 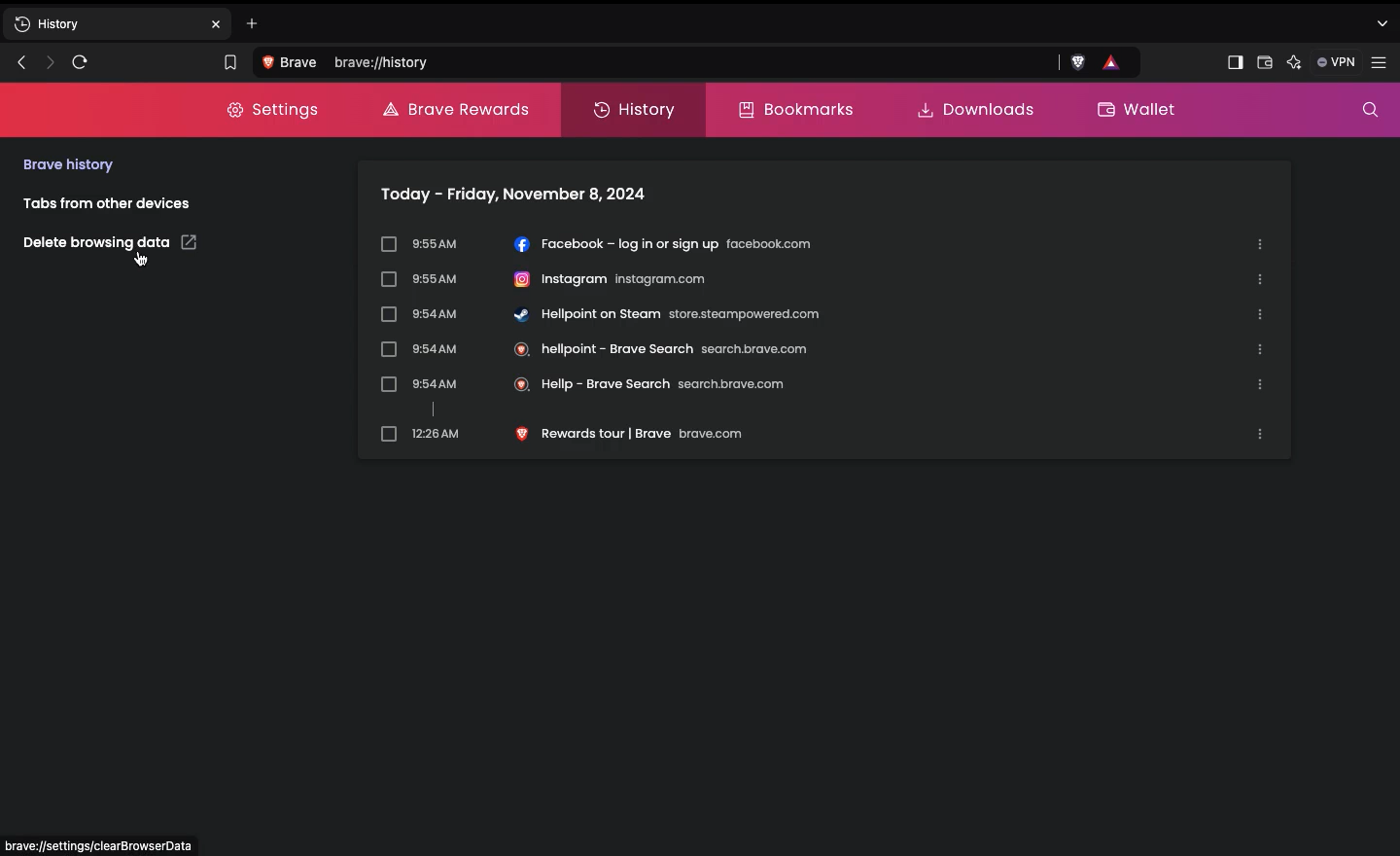 I want to click on today-friday, november 8, 2024, so click(x=513, y=192).